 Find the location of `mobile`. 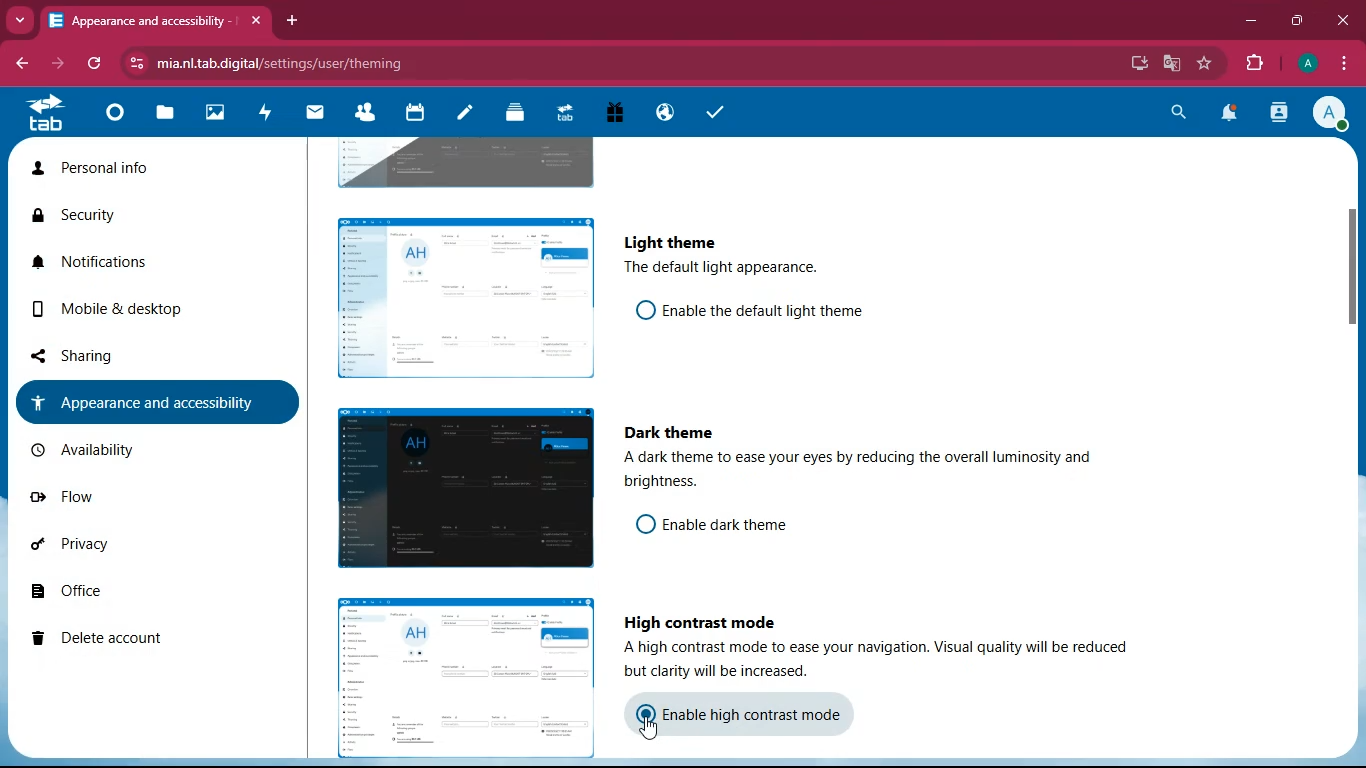

mobile is located at coordinates (117, 309).